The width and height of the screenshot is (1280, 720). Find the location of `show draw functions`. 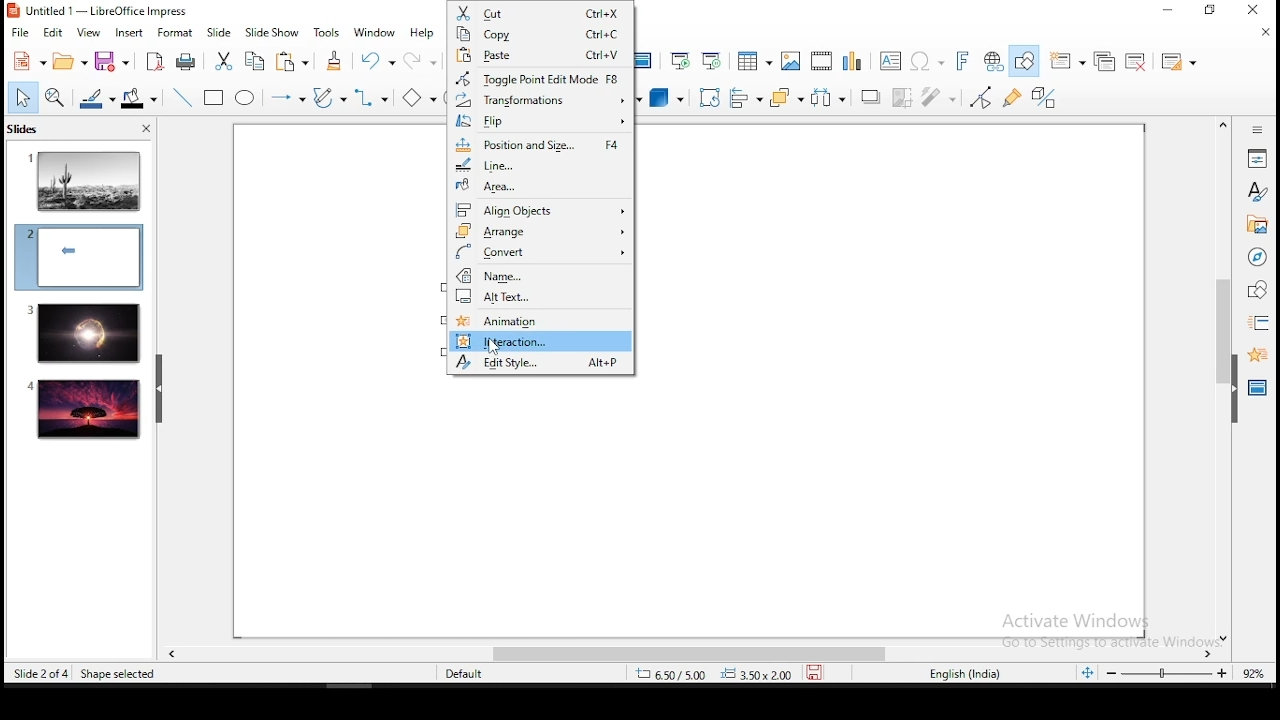

show draw functions is located at coordinates (1027, 61).